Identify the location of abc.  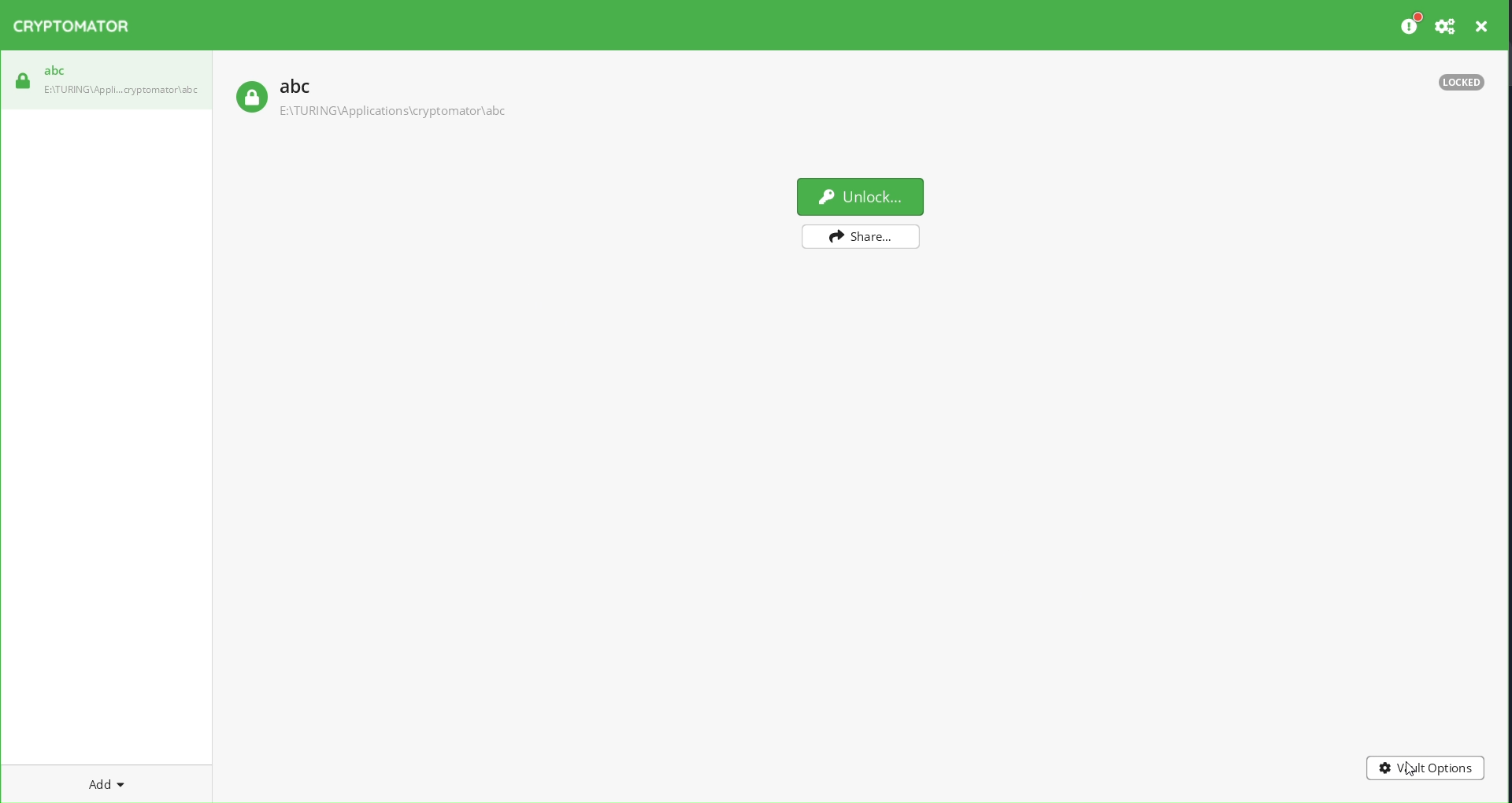
(54, 70).